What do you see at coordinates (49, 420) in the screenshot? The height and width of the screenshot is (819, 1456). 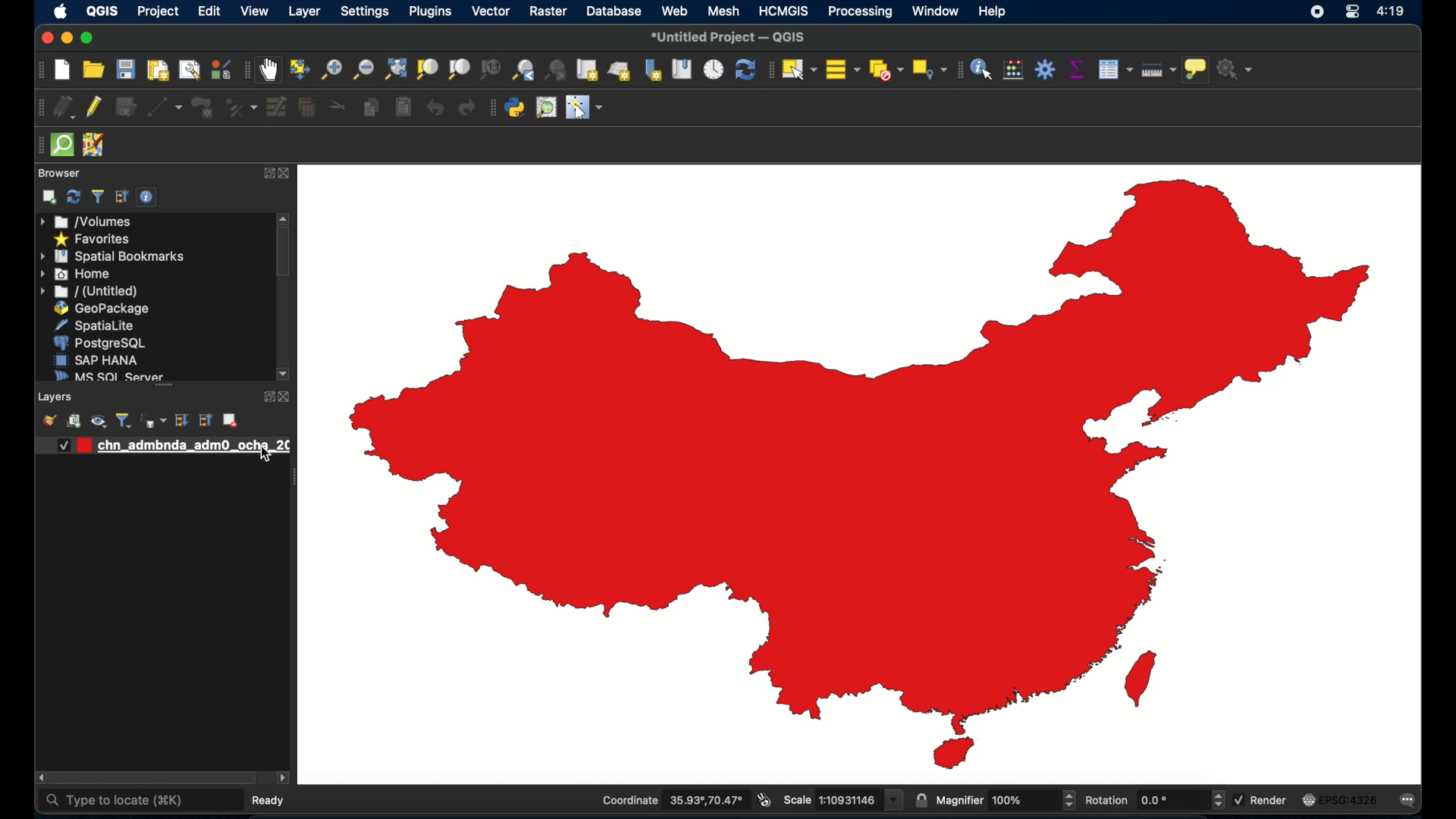 I see `open layer styling panel` at bounding box center [49, 420].